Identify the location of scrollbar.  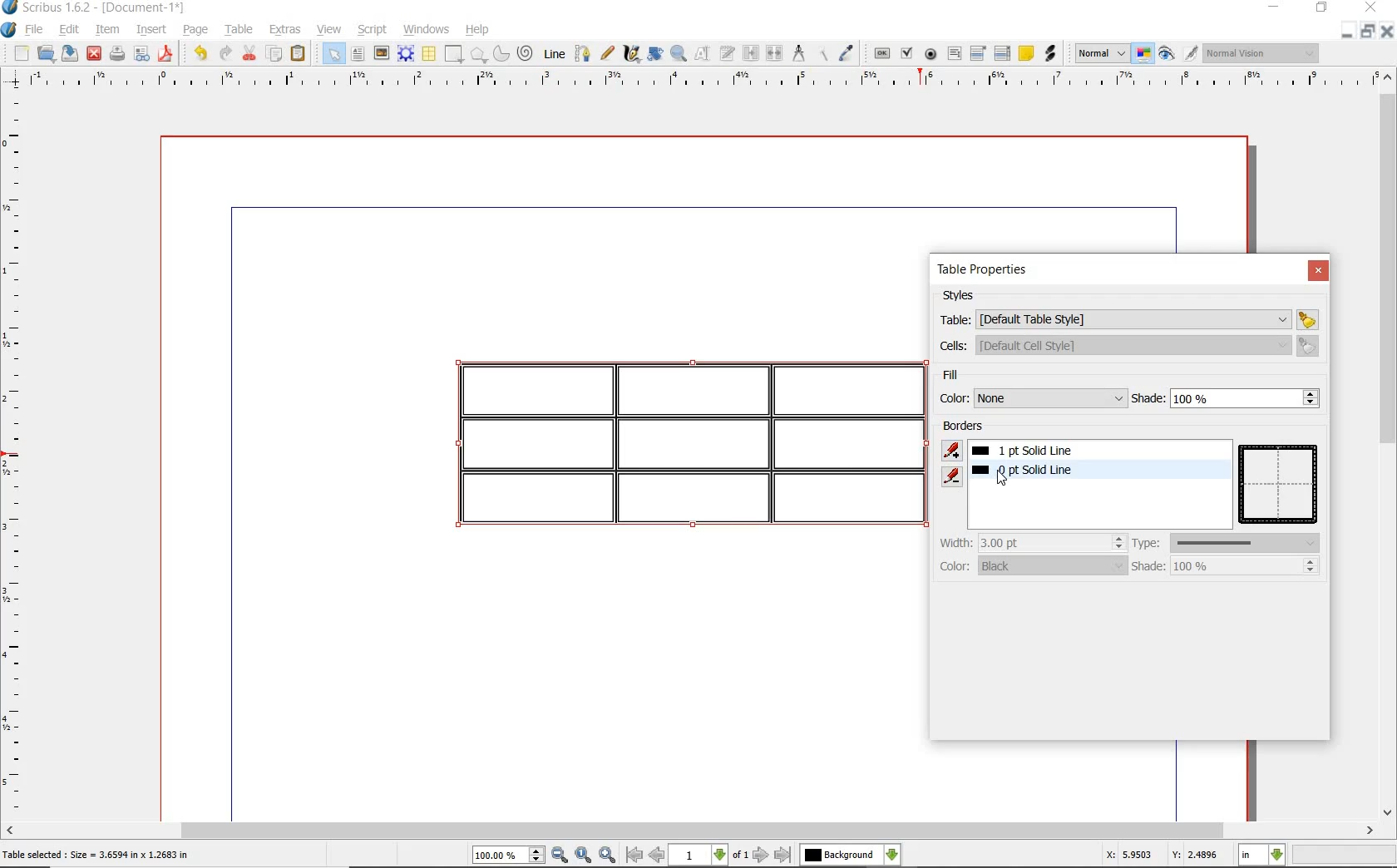
(1389, 442).